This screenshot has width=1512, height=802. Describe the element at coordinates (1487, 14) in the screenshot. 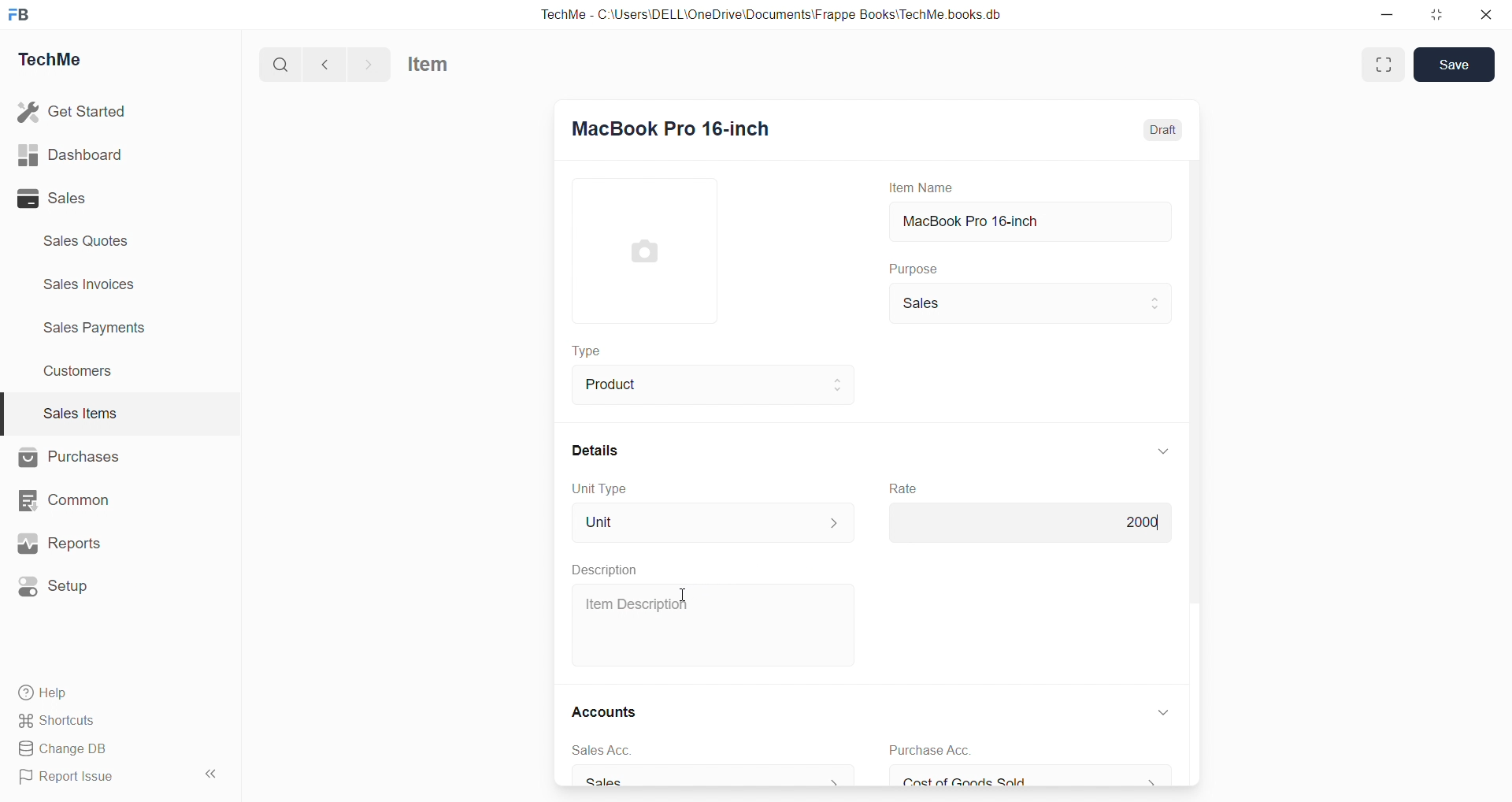

I see `close` at that location.